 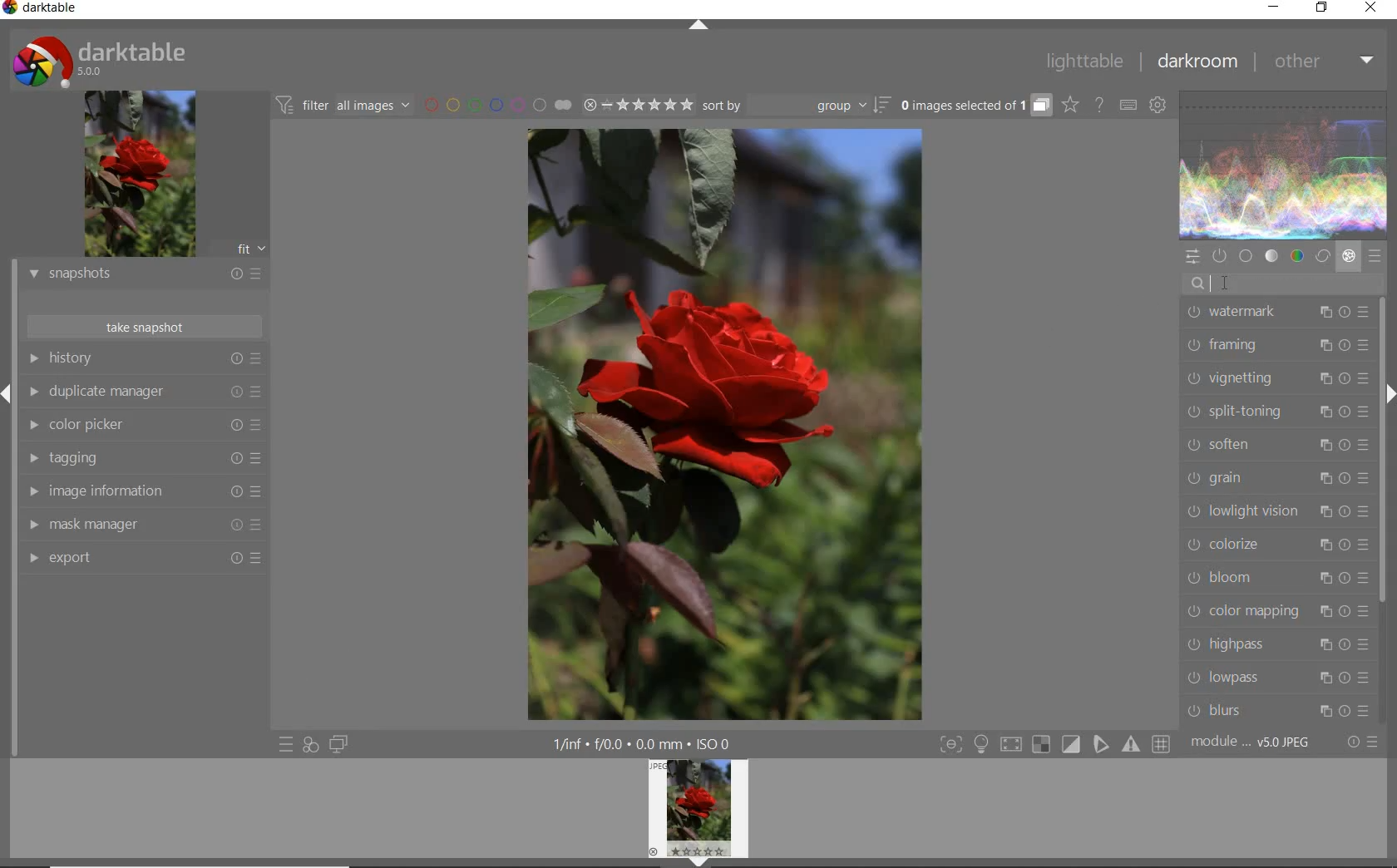 What do you see at coordinates (1275, 544) in the screenshot?
I see `colorize` at bounding box center [1275, 544].